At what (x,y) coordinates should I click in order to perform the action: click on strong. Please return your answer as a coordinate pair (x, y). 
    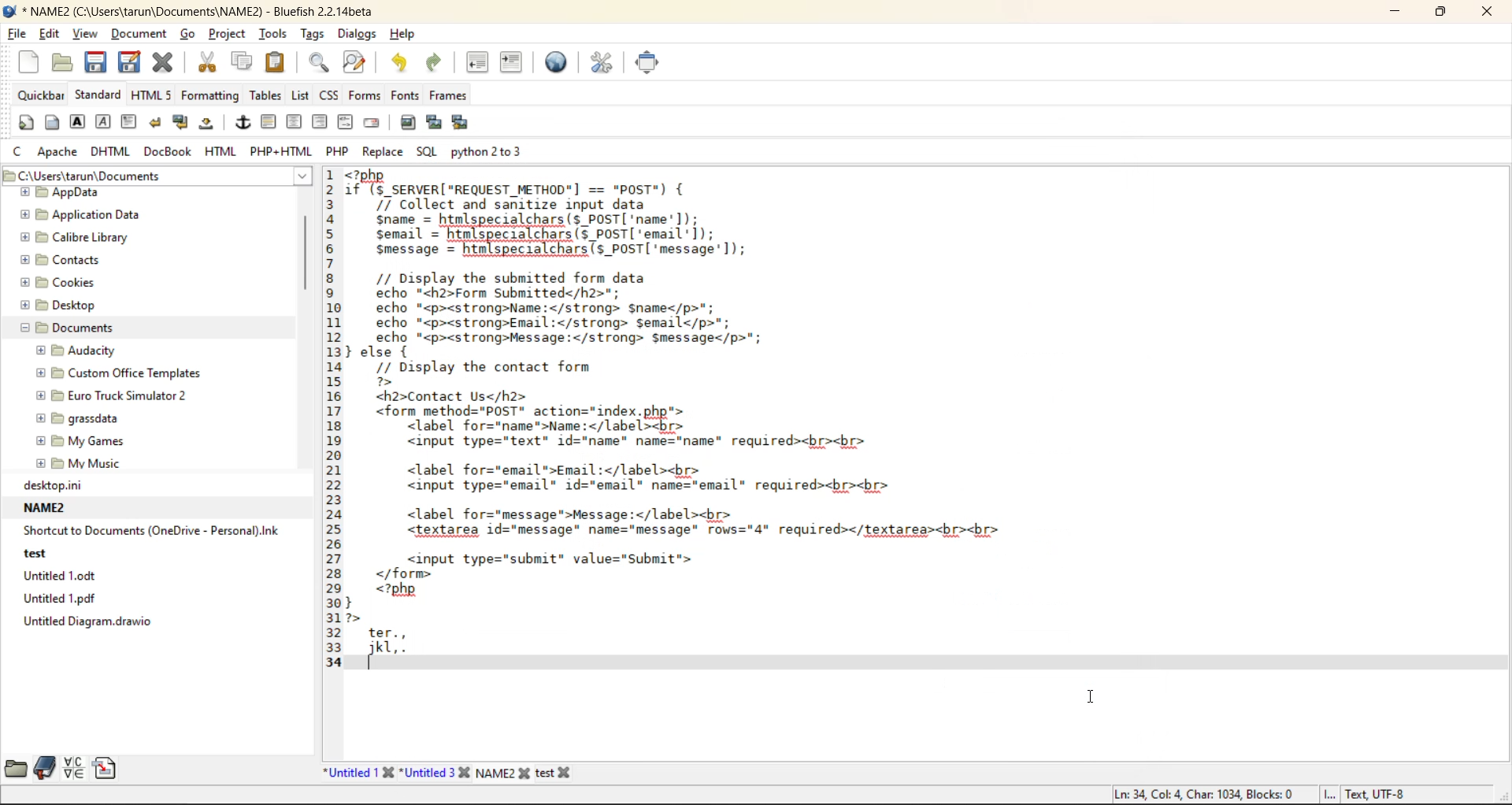
    Looking at the image, I should click on (79, 122).